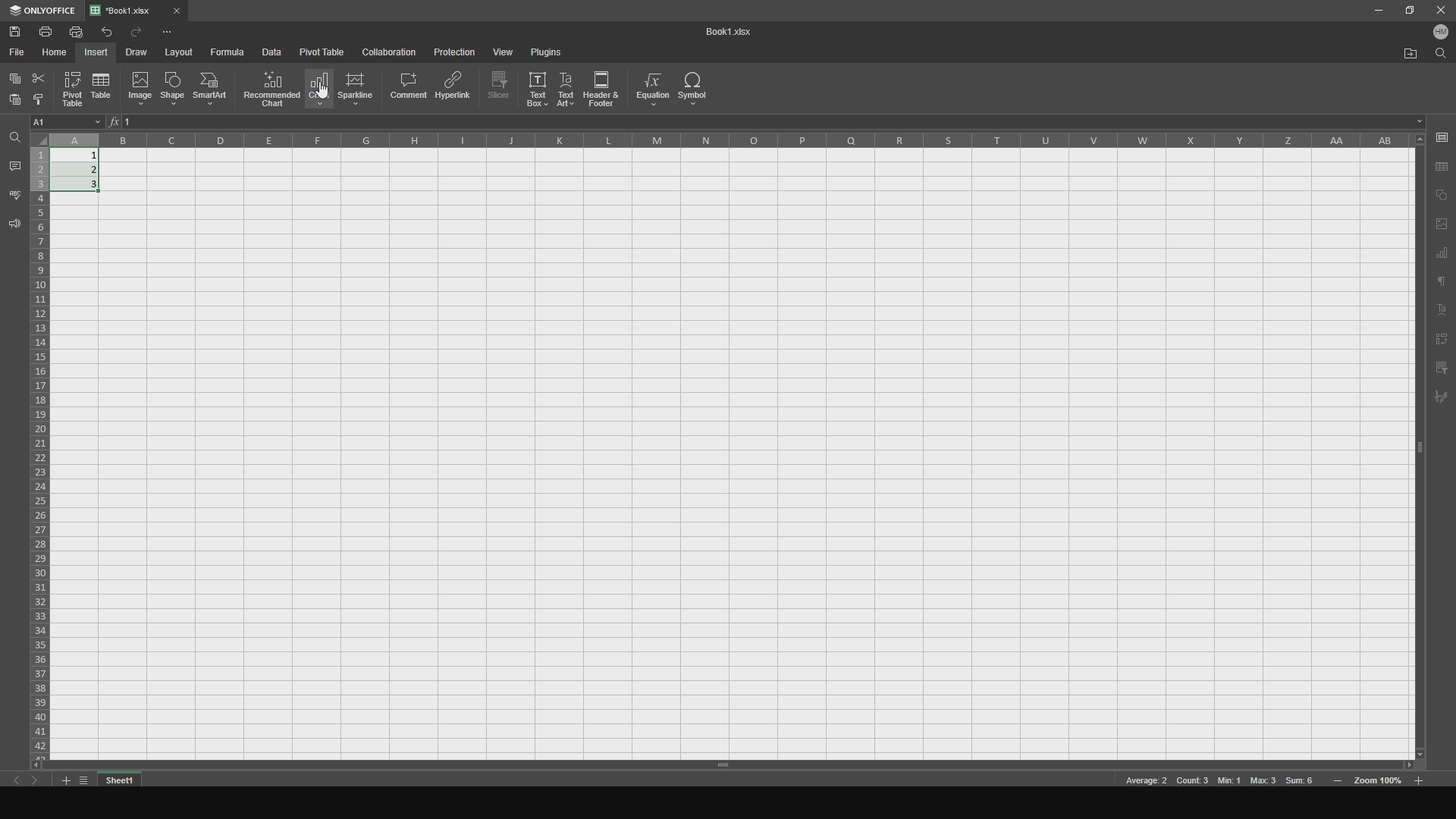  Describe the element at coordinates (68, 87) in the screenshot. I see `pivot table` at that location.